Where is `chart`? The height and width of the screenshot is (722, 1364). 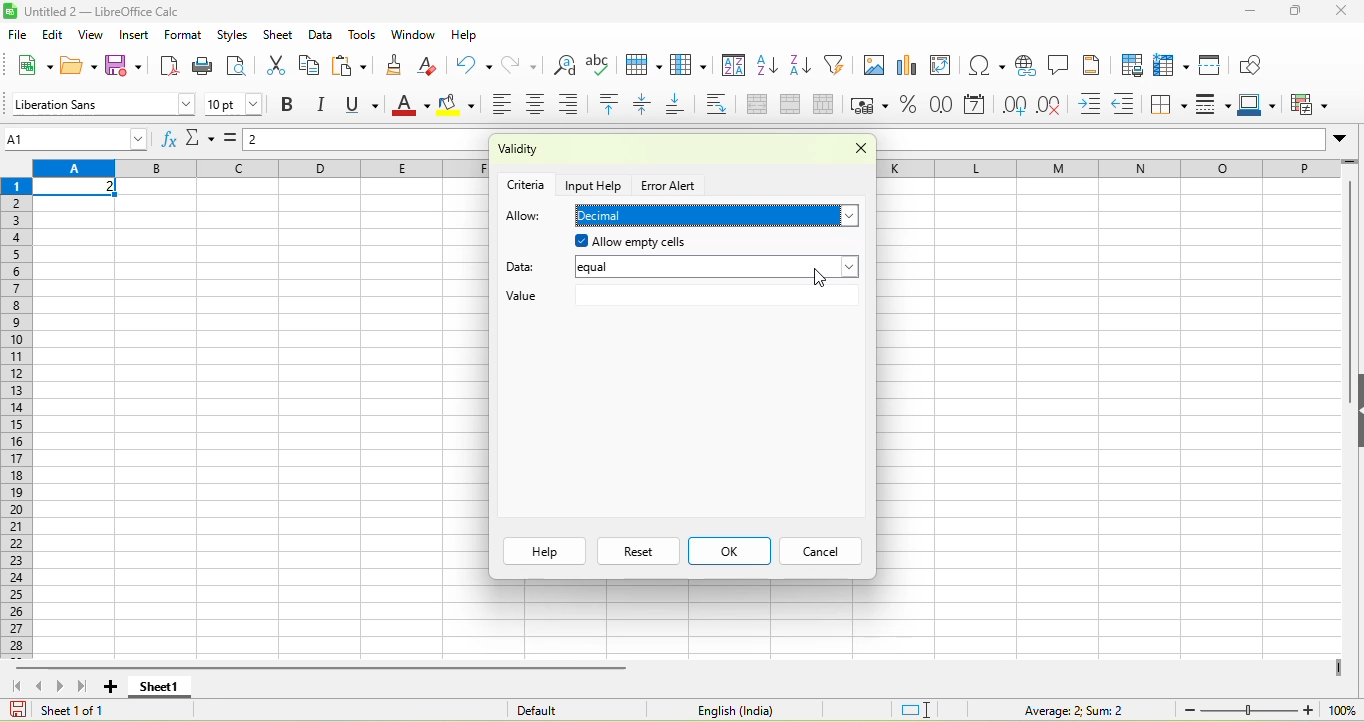 chart is located at coordinates (909, 67).